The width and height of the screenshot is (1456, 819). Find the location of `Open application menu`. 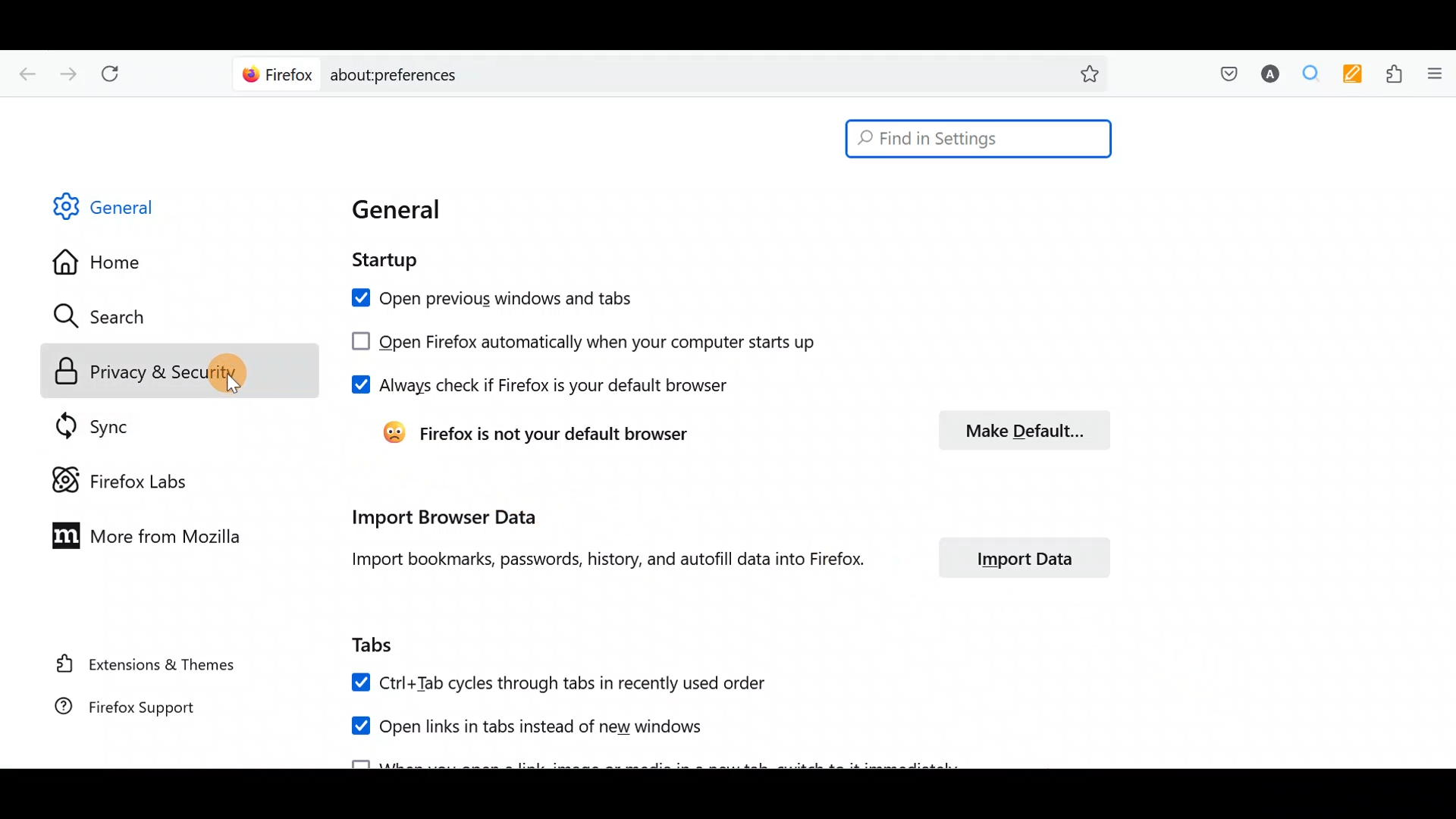

Open application menu is located at coordinates (1433, 75).